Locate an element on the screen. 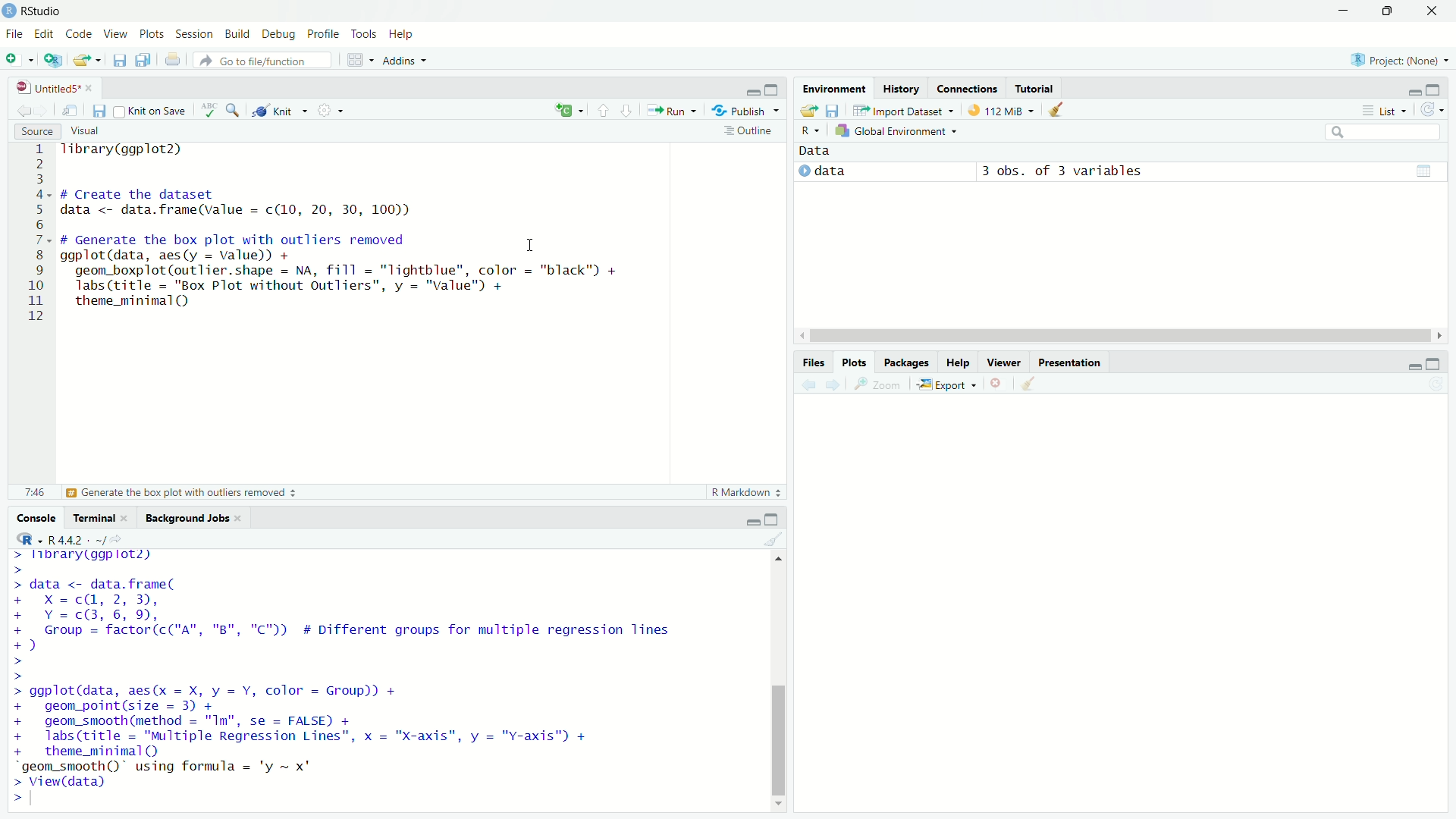 This screenshot has width=1456, height=819. minimise is located at coordinates (745, 92).